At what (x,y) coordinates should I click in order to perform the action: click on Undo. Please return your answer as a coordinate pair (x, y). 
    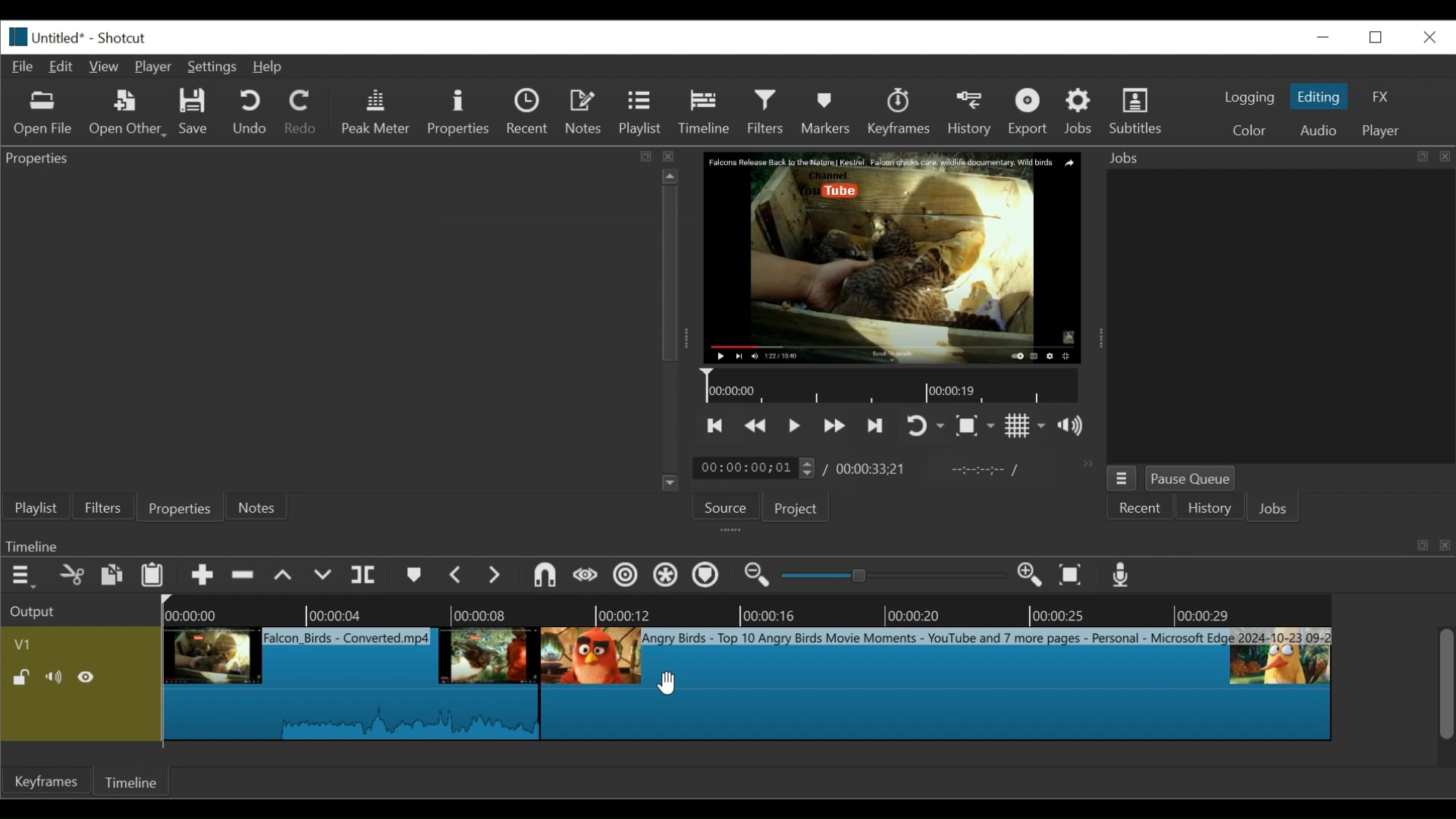
    Looking at the image, I should click on (249, 114).